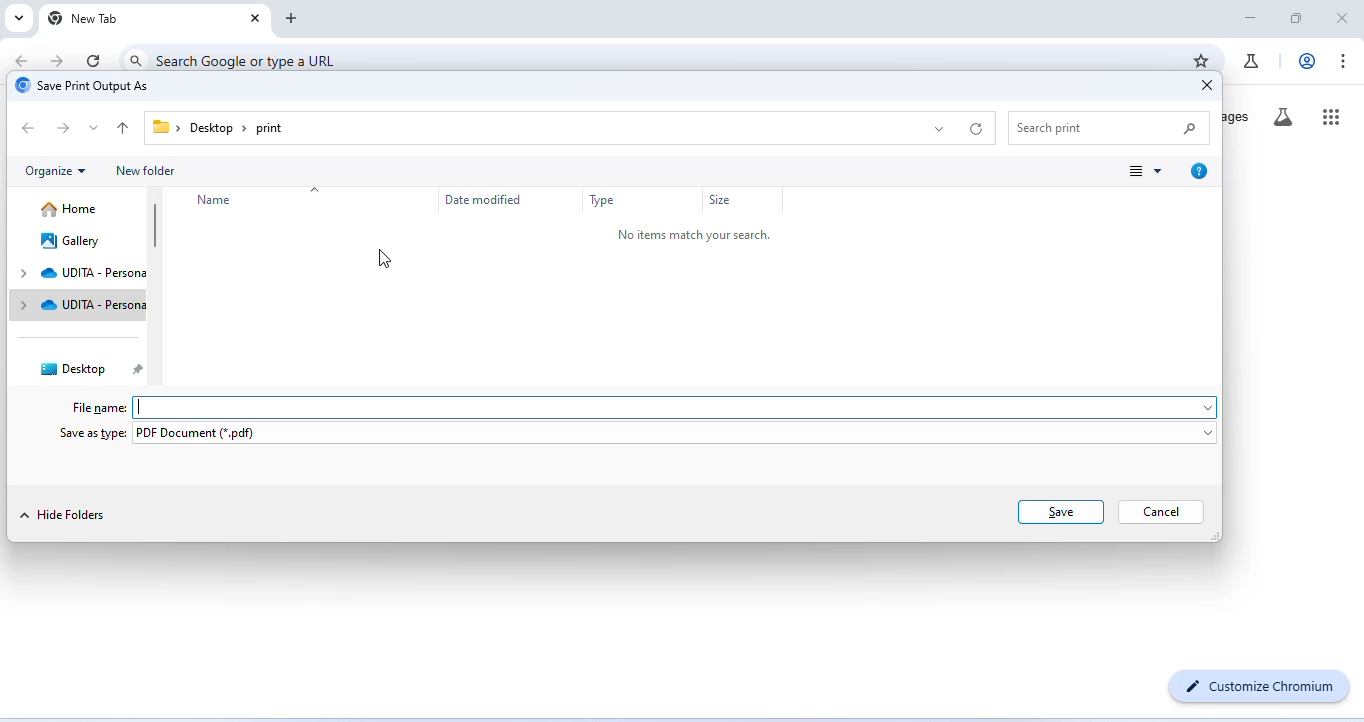  What do you see at coordinates (1203, 85) in the screenshot?
I see `close` at bounding box center [1203, 85].